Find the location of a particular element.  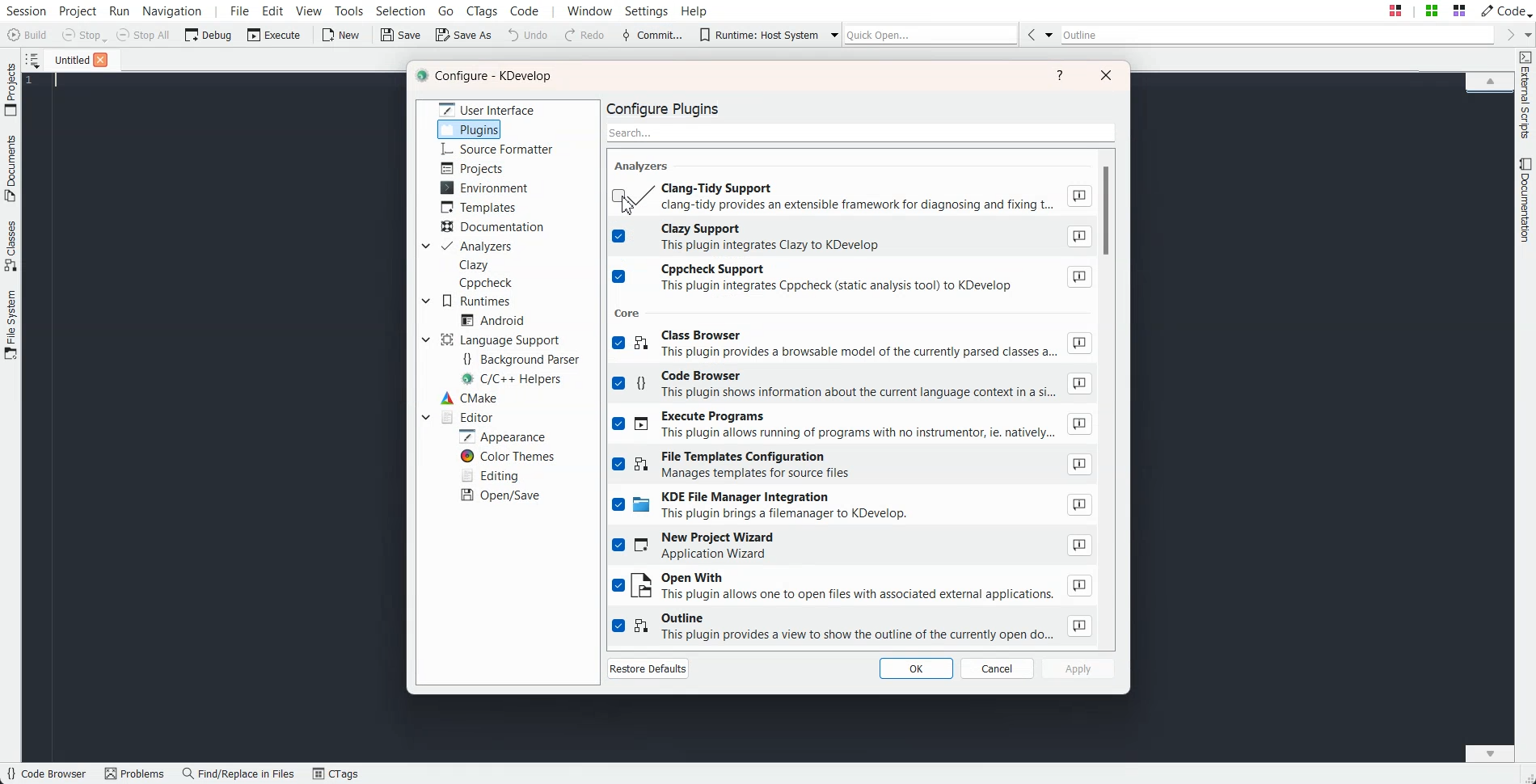

Execute is located at coordinates (274, 34).